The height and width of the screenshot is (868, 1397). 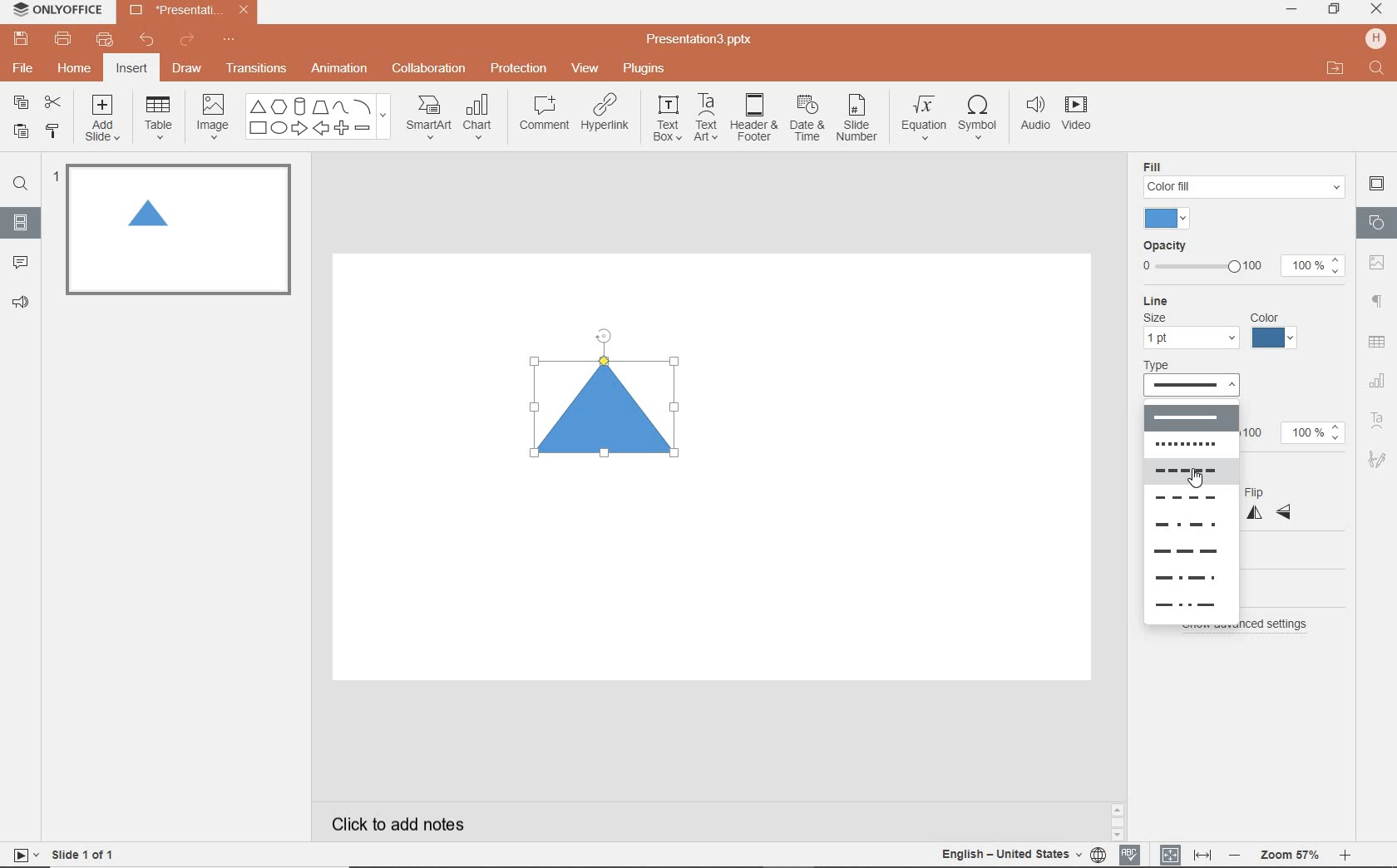 I want to click on AUDIO, so click(x=1031, y=115).